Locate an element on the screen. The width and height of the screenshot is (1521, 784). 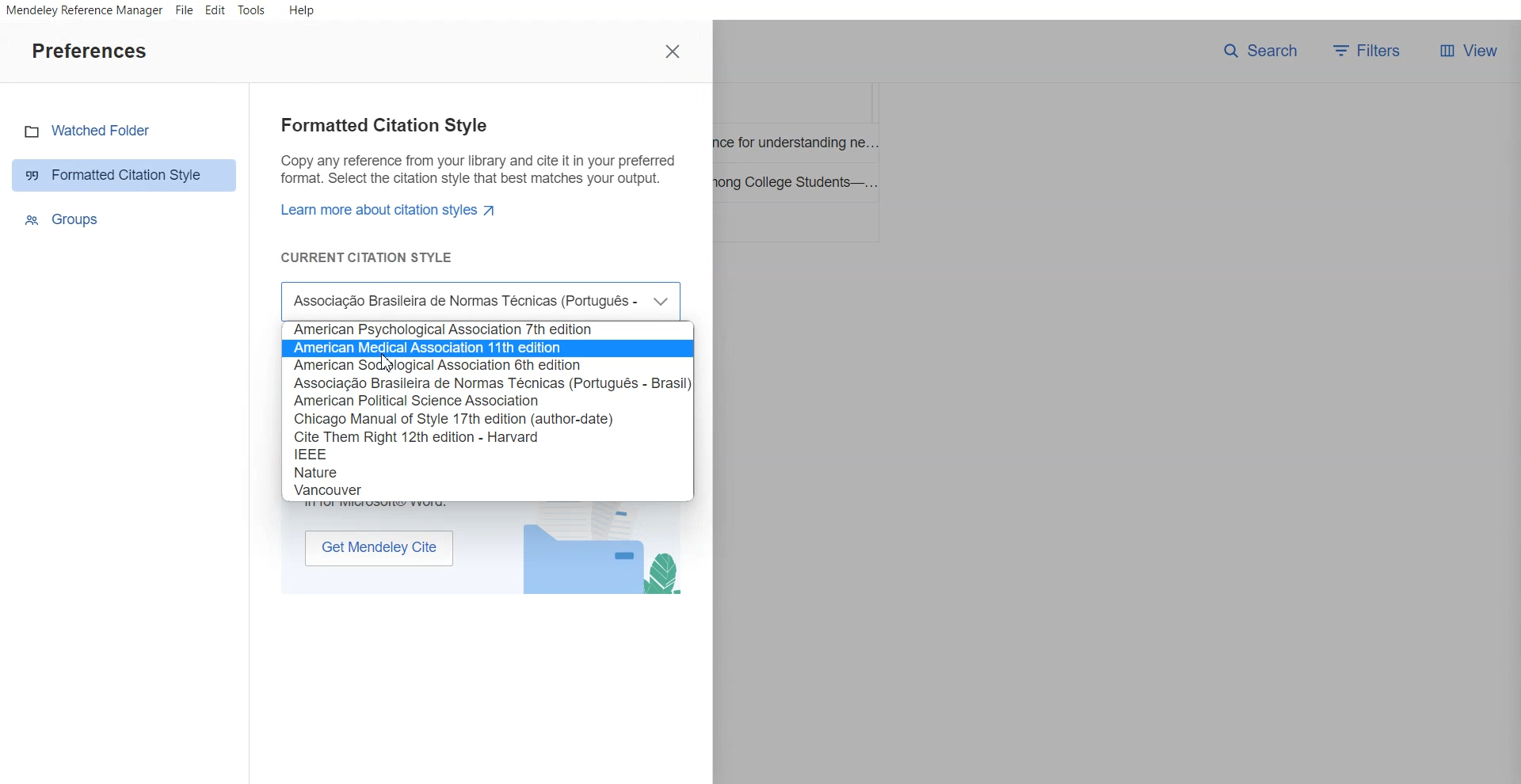
Citation is located at coordinates (489, 366).